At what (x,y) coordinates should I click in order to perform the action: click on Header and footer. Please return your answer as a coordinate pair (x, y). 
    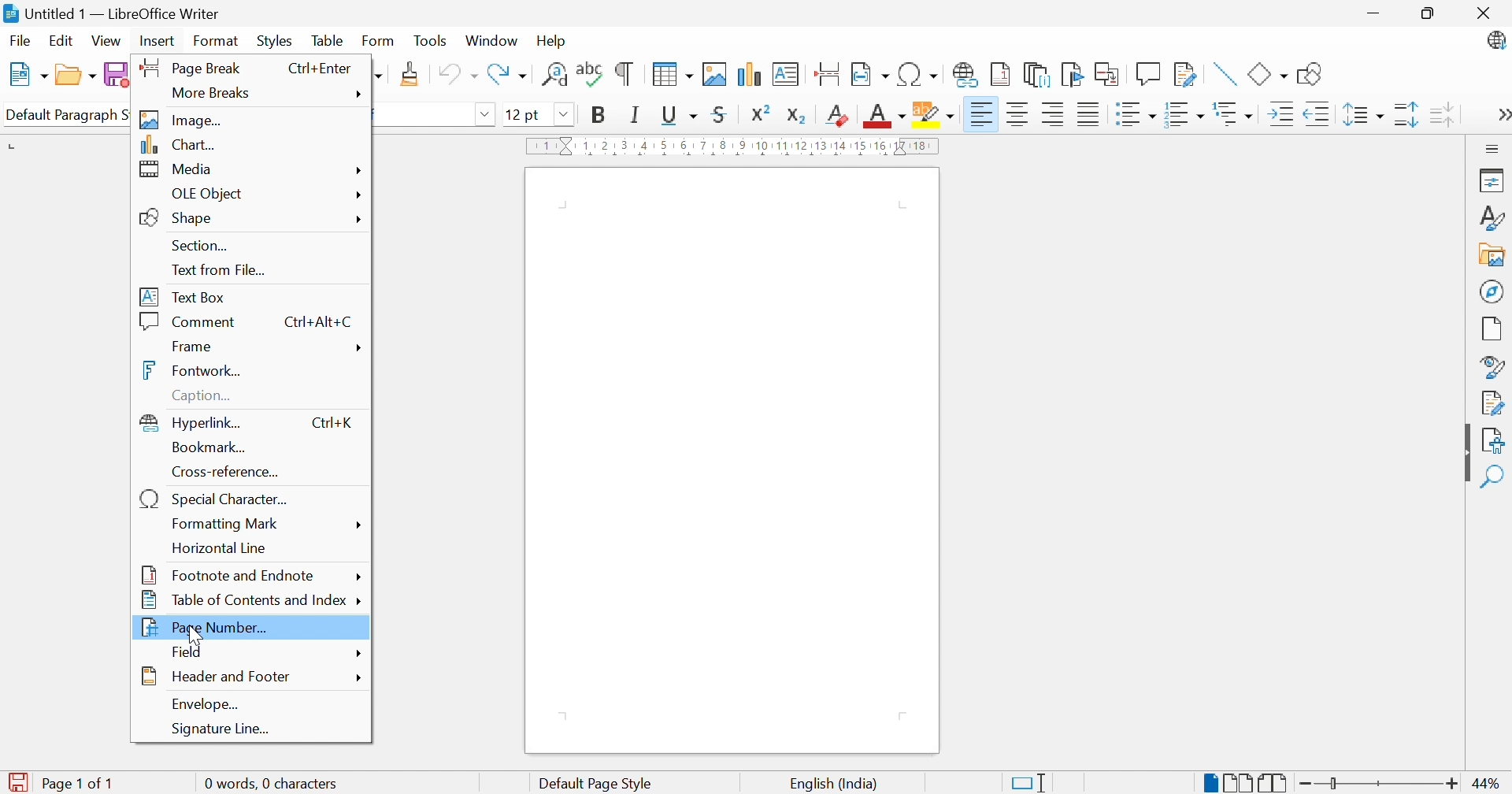
    Looking at the image, I should click on (217, 677).